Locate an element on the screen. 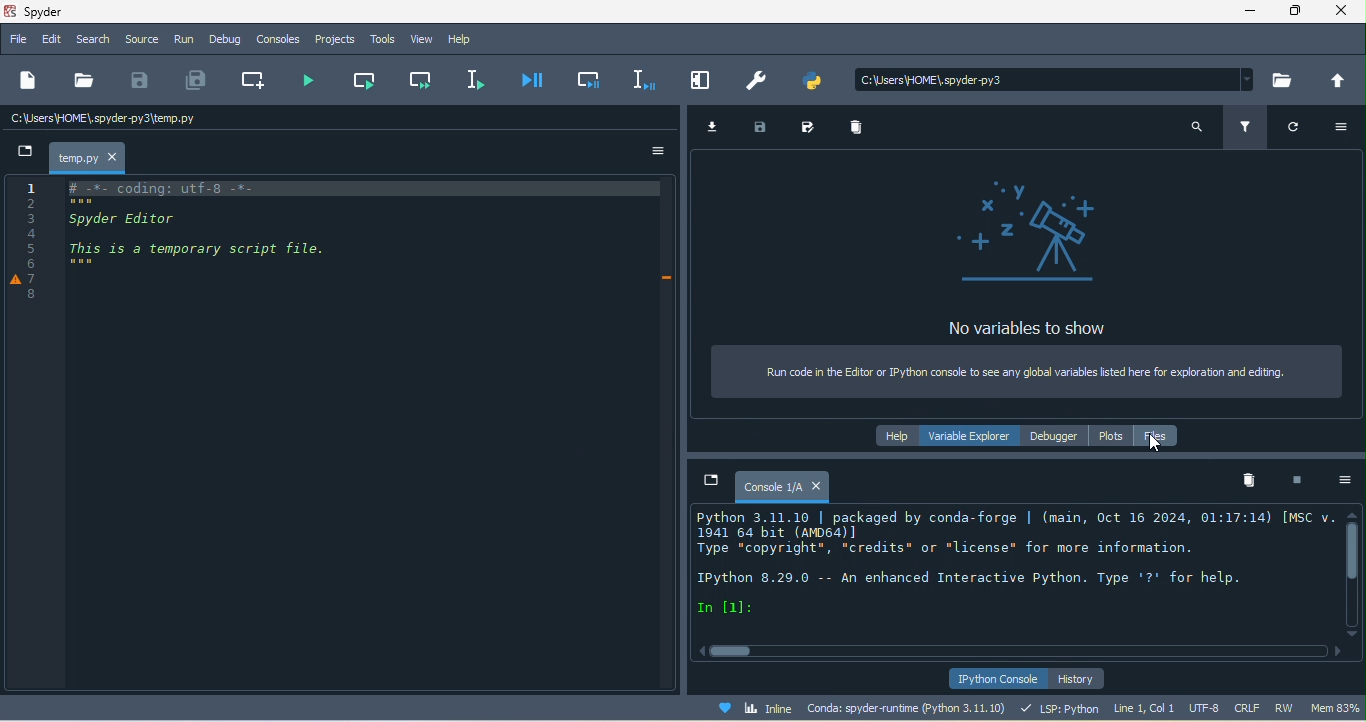 The width and height of the screenshot is (1366, 722). import is located at coordinates (711, 130).